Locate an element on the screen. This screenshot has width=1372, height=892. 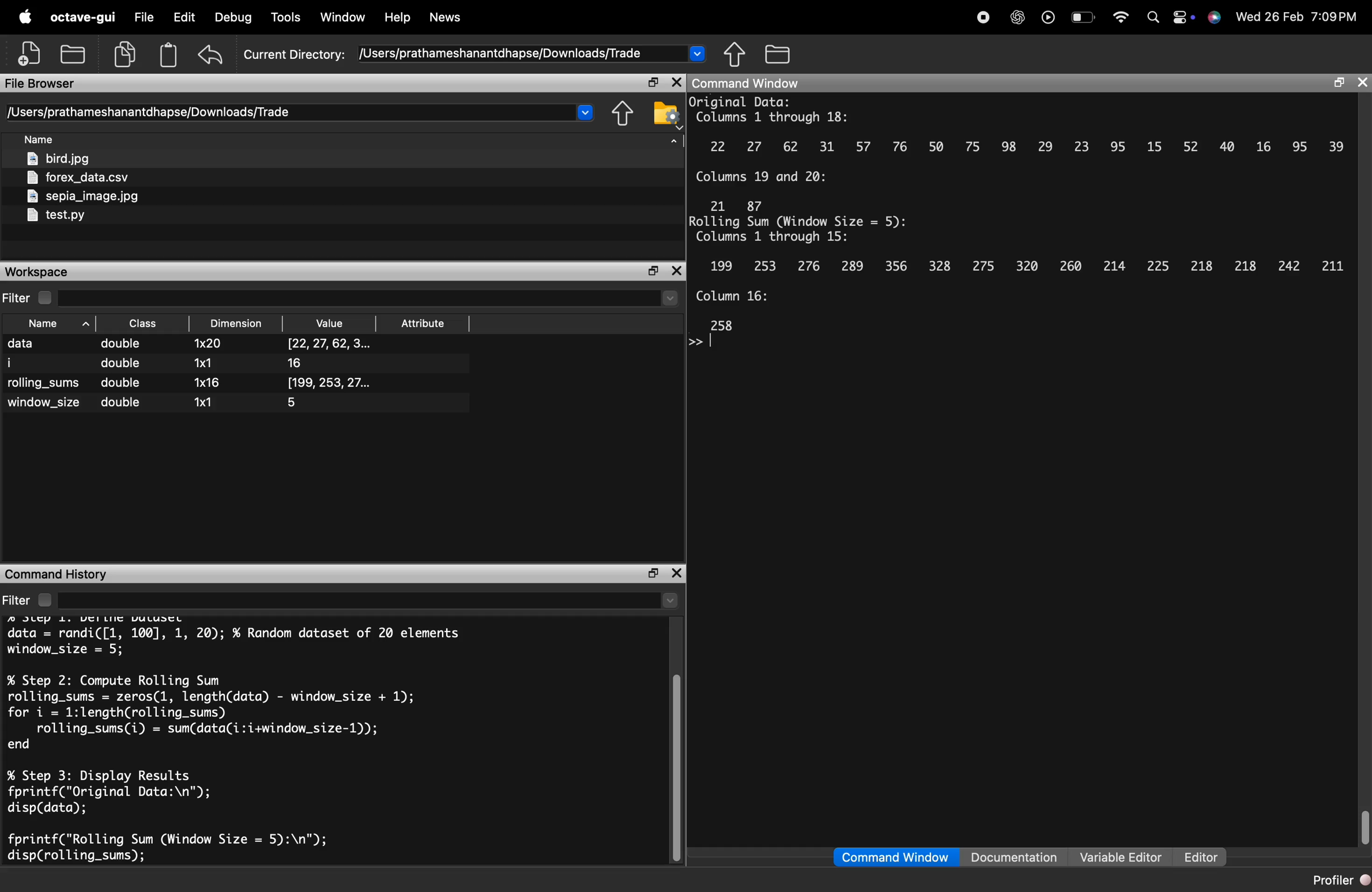
support is located at coordinates (1218, 20).